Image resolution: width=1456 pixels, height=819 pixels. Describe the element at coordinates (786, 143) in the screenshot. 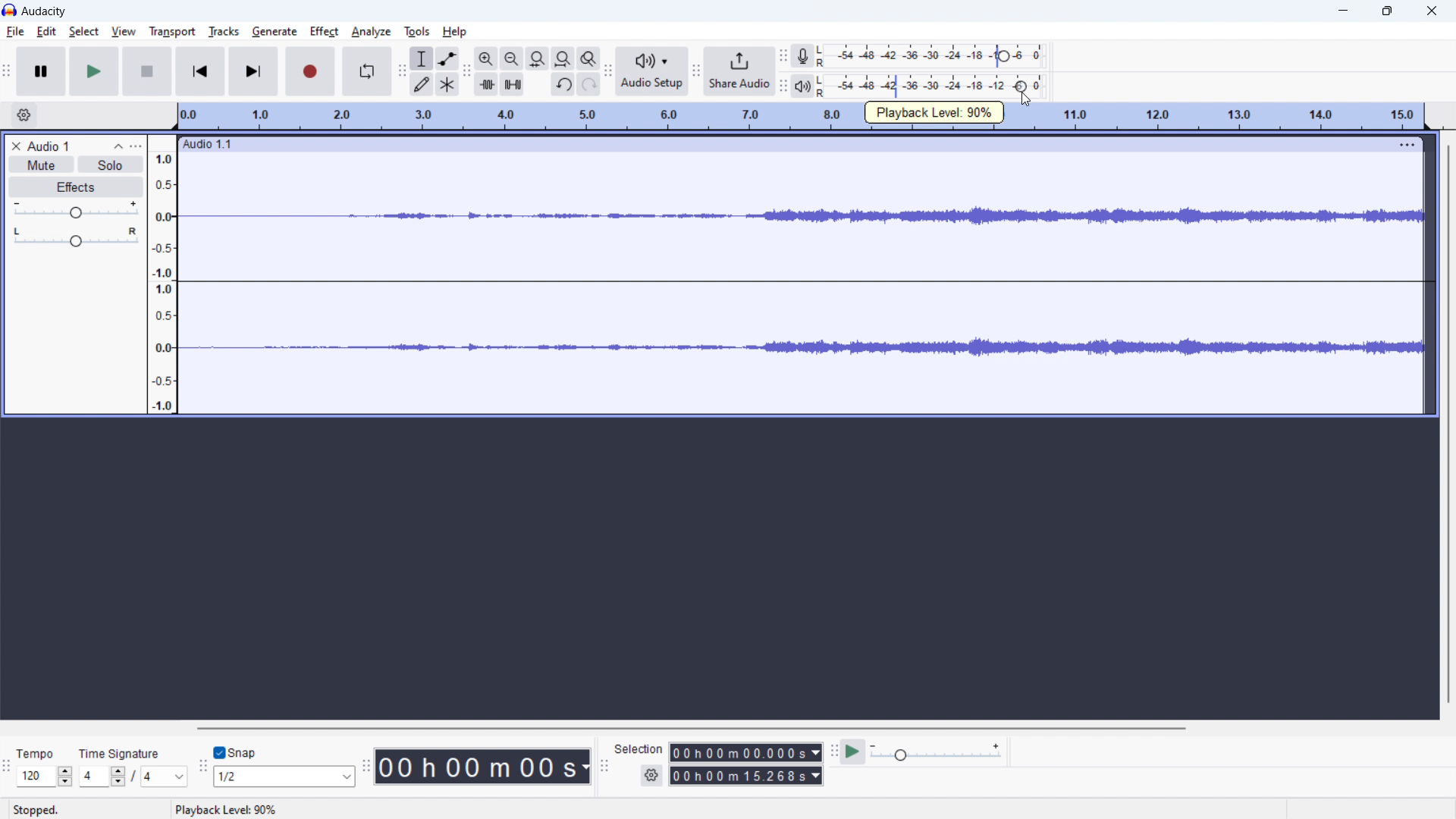

I see `hold to move` at that location.